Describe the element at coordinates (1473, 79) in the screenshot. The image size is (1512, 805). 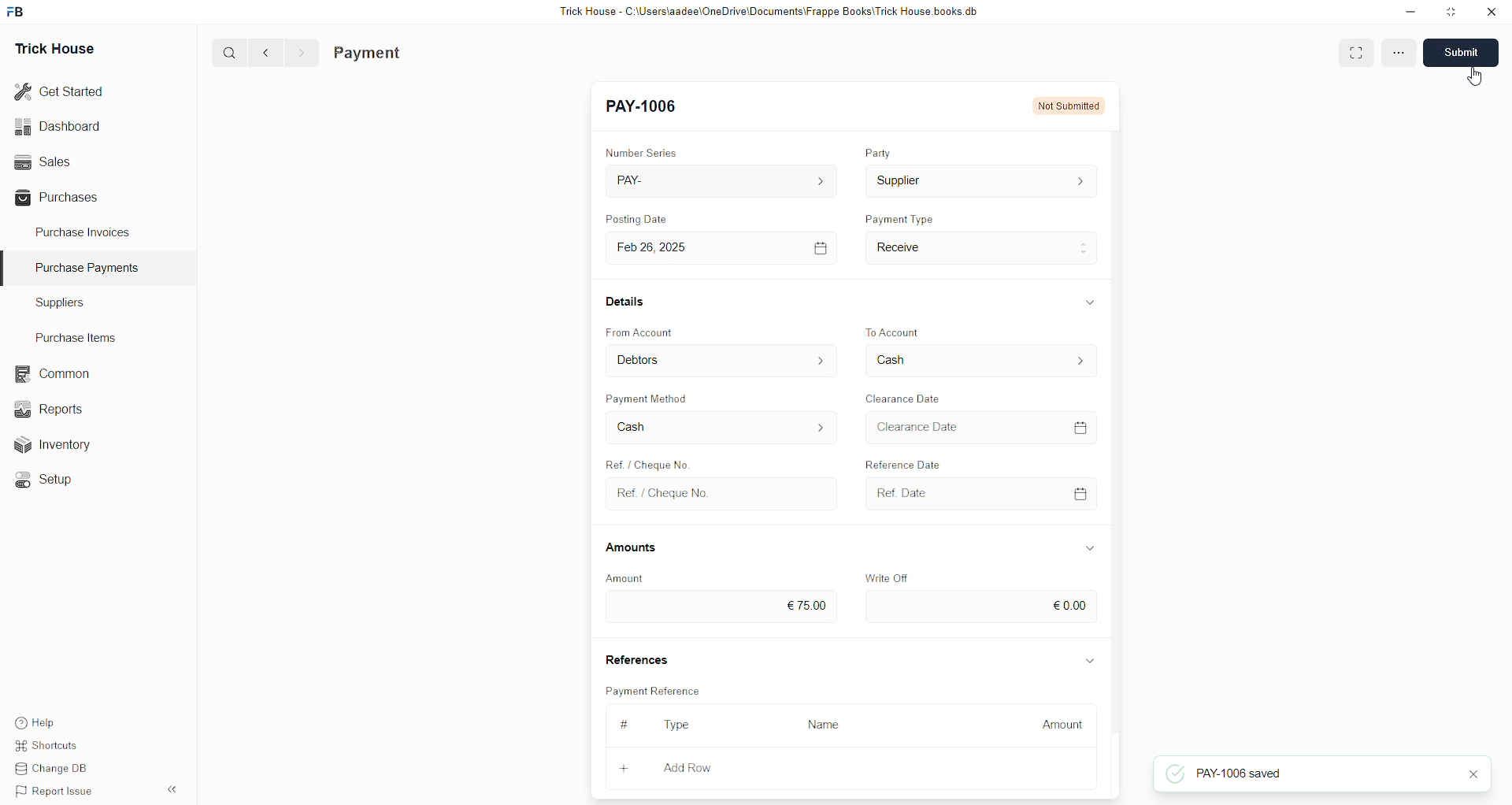
I see `cursor` at that location.